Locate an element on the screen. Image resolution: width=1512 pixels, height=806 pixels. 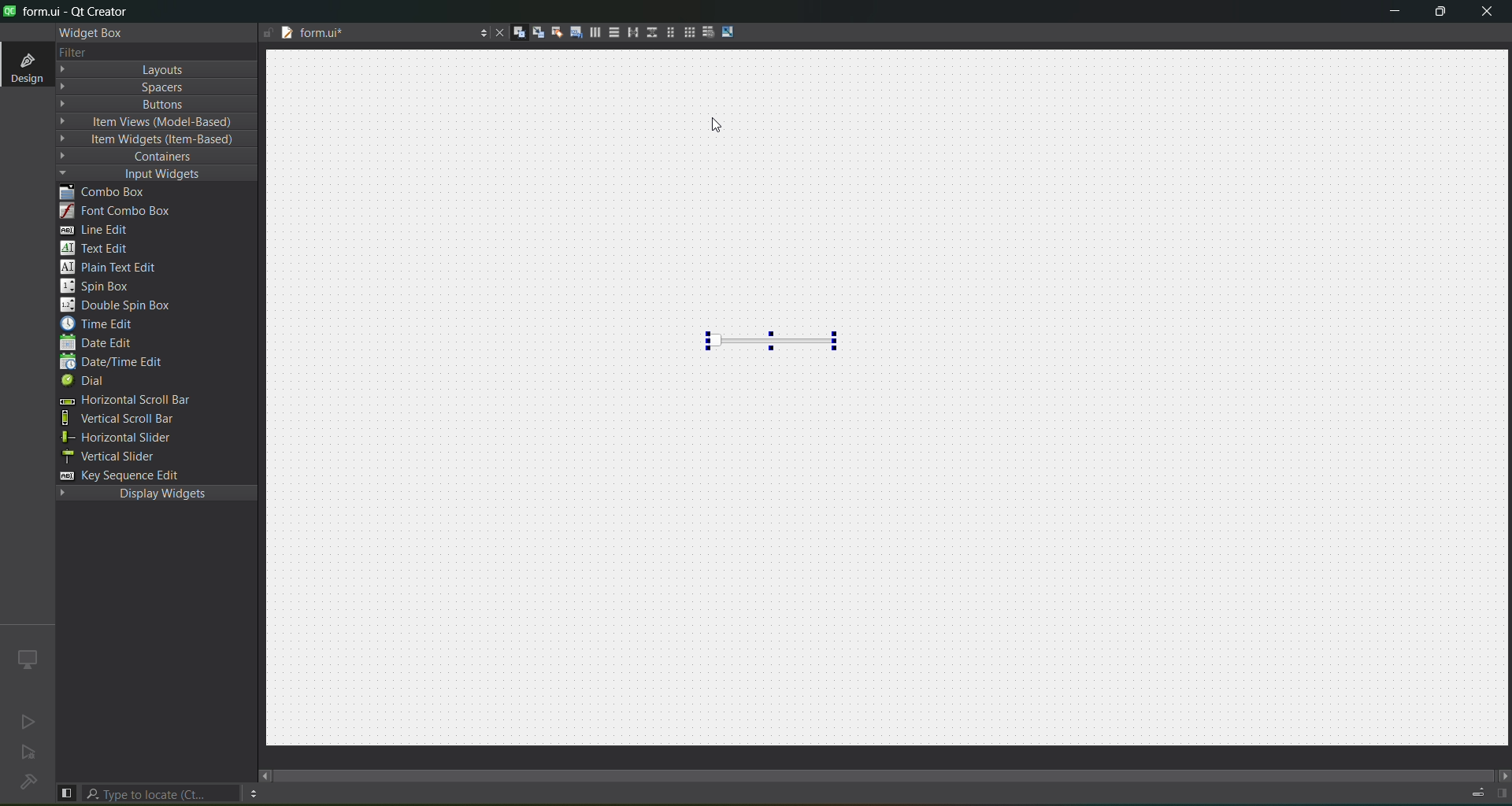
display widgets is located at coordinates (153, 497).